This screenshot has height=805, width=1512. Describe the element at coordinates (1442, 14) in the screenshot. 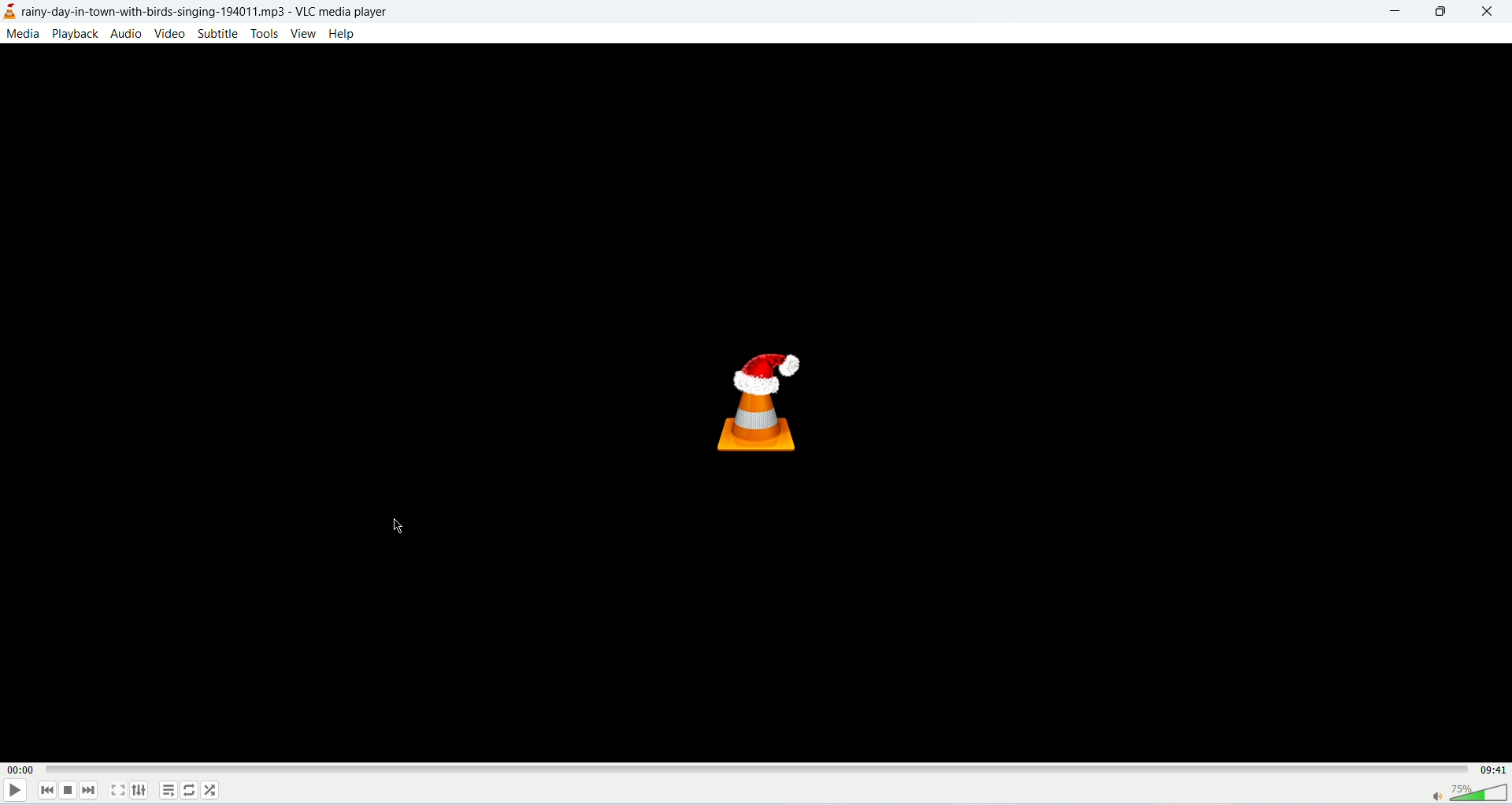

I see `maximize` at that location.